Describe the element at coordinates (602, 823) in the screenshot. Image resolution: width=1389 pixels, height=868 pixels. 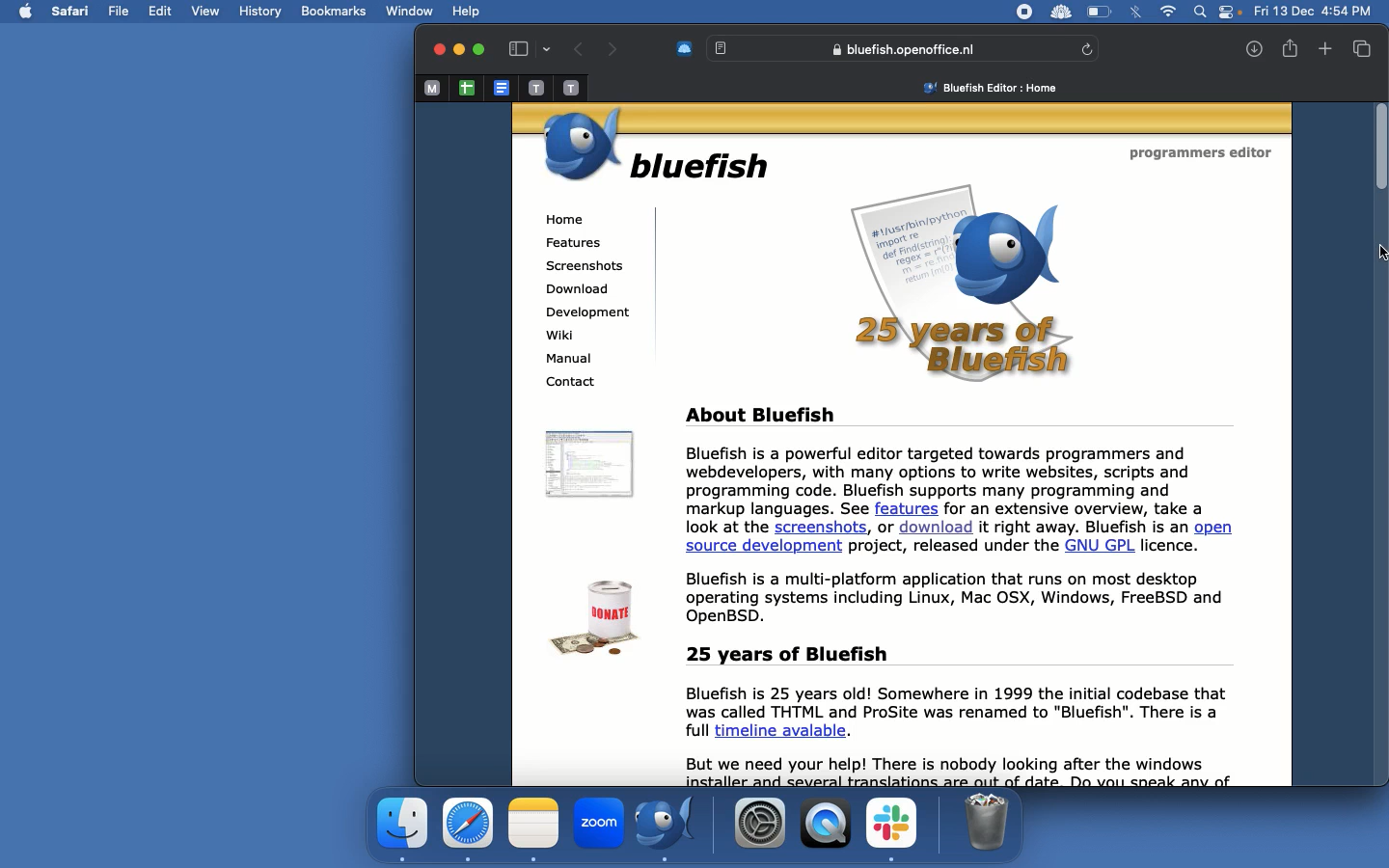
I see `Zoom` at that location.